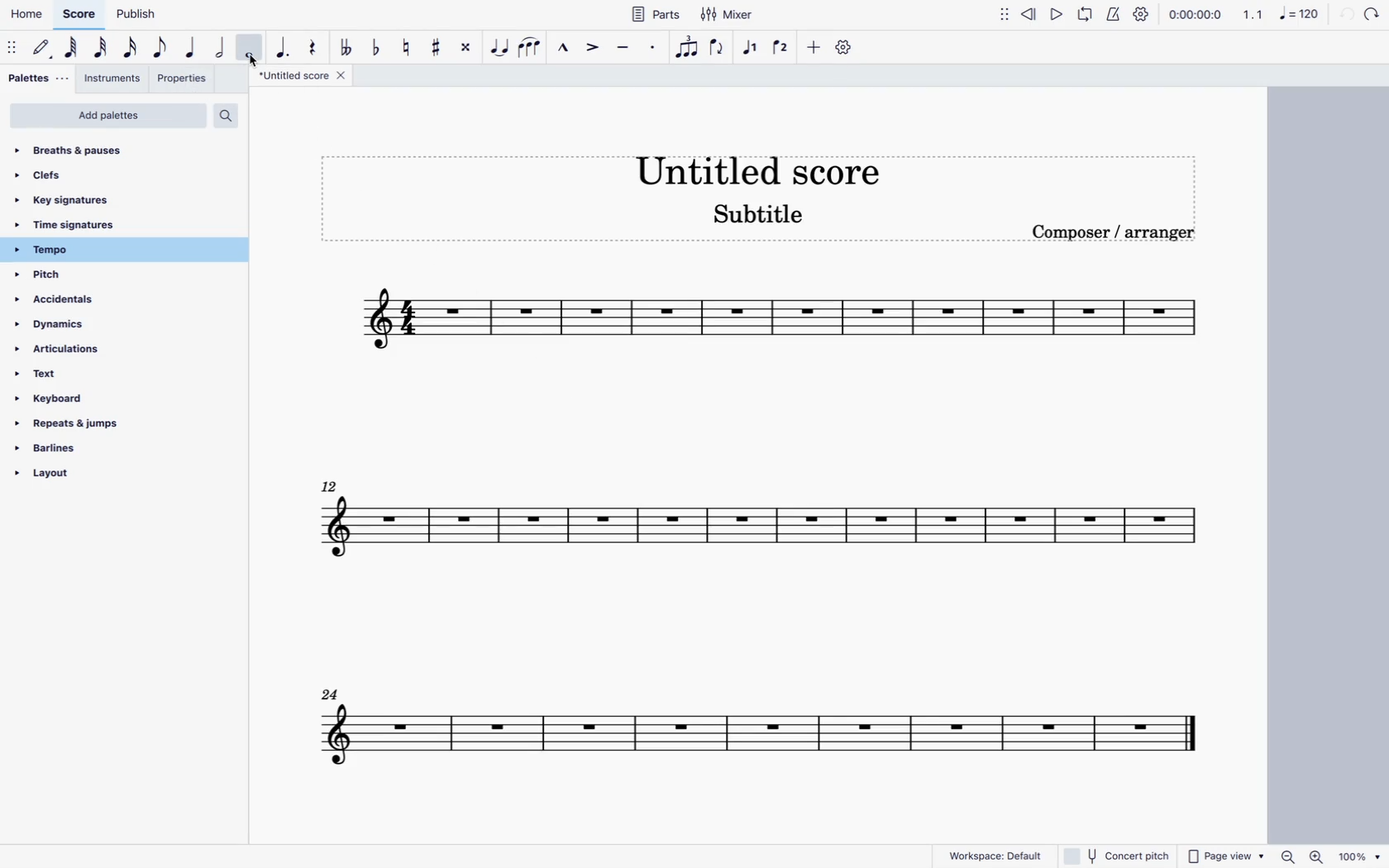 This screenshot has height=868, width=1389. I want to click on rest, so click(316, 49).